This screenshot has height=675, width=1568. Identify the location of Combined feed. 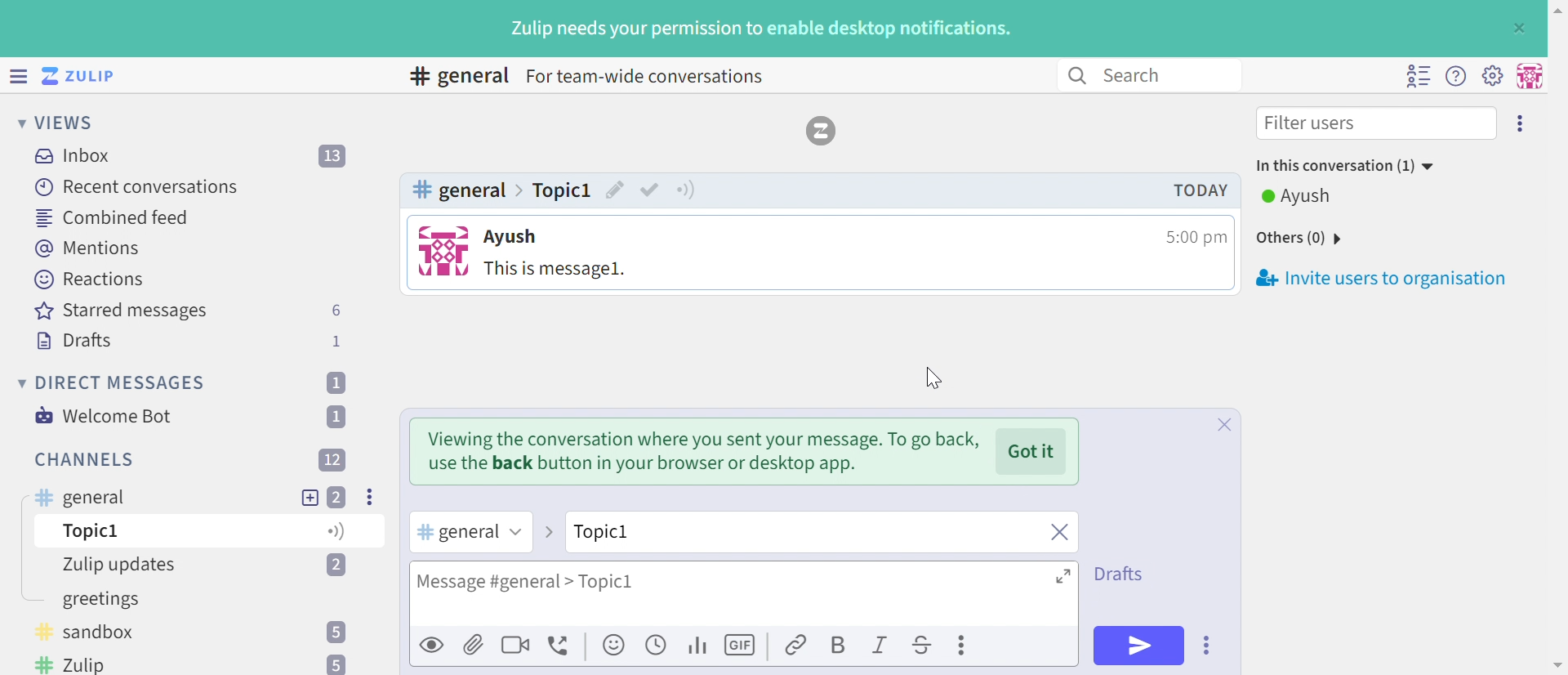
(114, 217).